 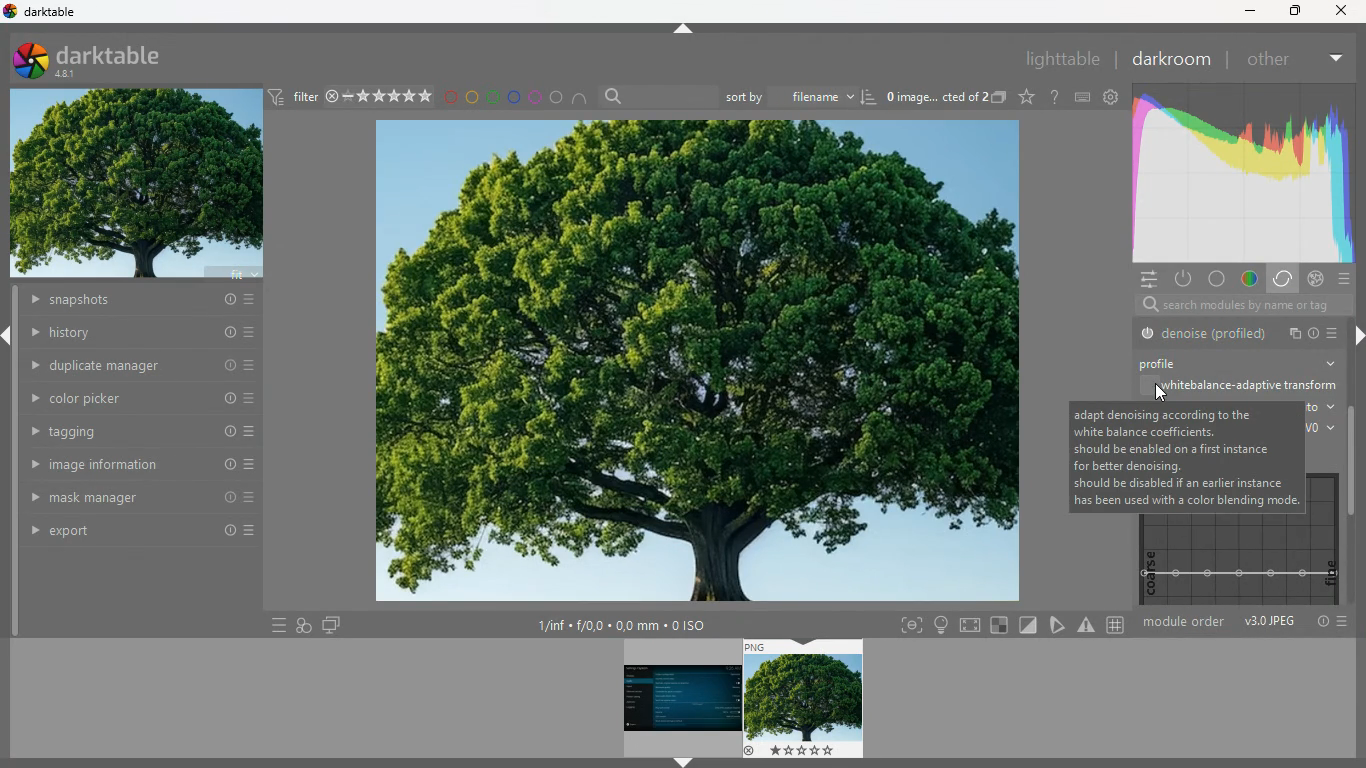 I want to click on settings, so click(x=1114, y=97).